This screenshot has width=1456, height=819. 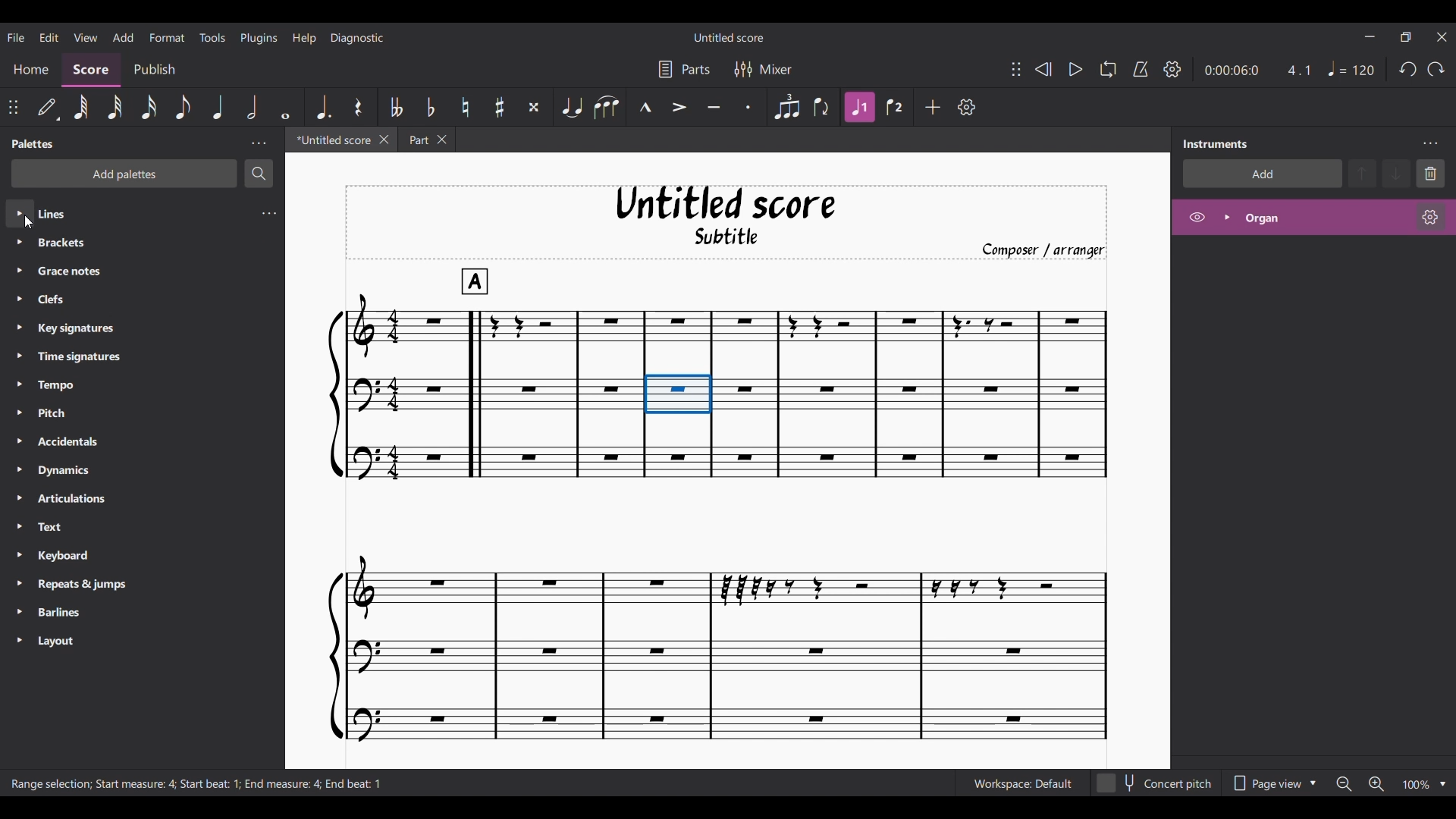 I want to click on Instruments panel settings, so click(x=1430, y=143).